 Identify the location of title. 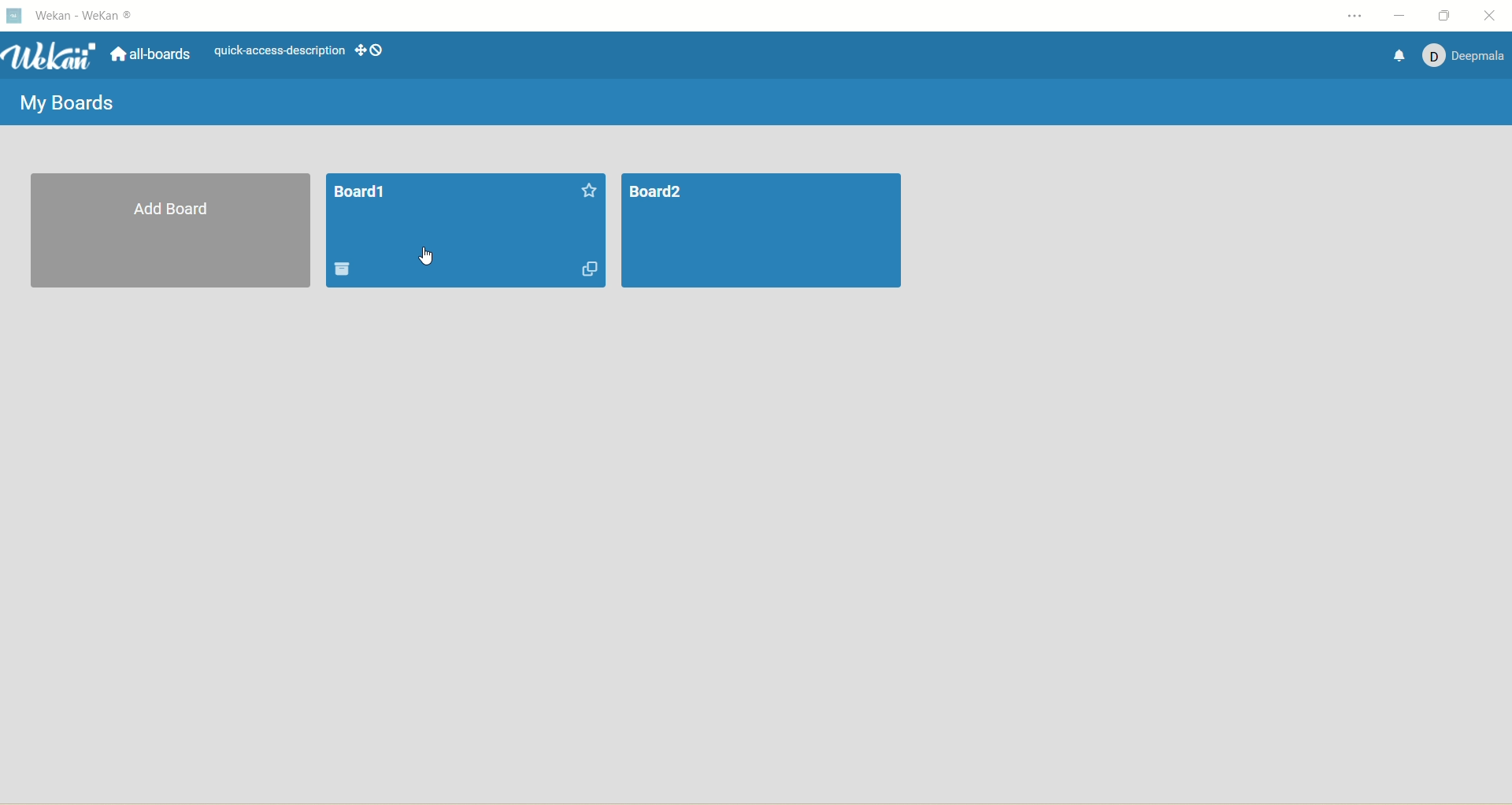
(360, 191).